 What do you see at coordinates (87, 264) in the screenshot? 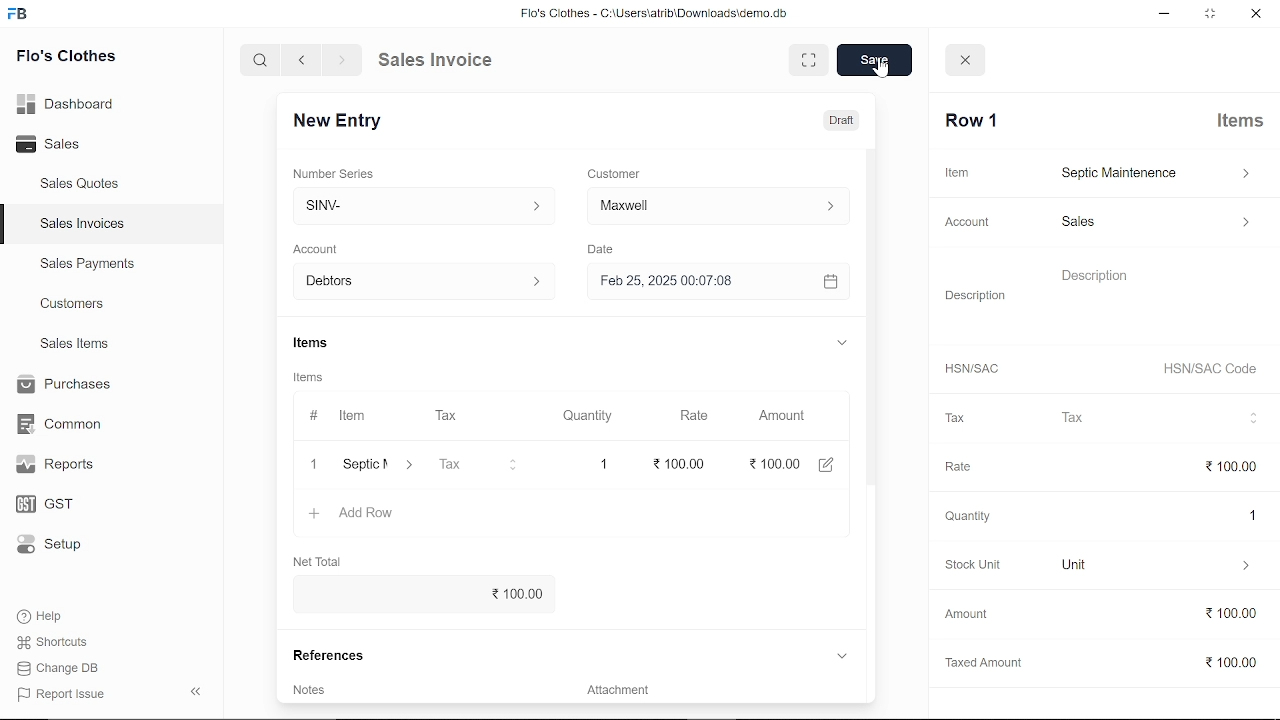
I see `Sales Payments` at bounding box center [87, 264].